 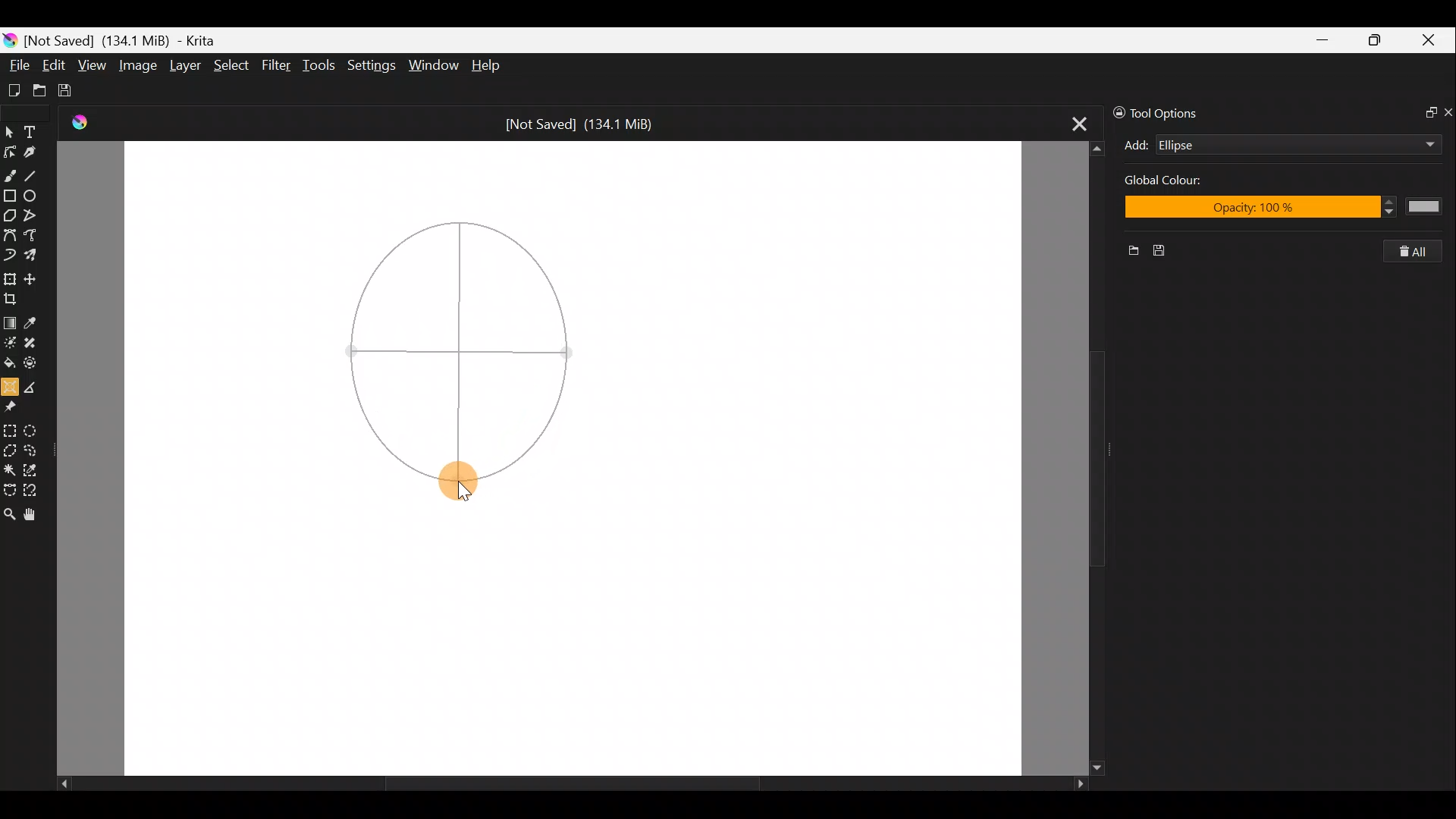 What do you see at coordinates (9, 256) in the screenshot?
I see `Dynamic brush tool` at bounding box center [9, 256].